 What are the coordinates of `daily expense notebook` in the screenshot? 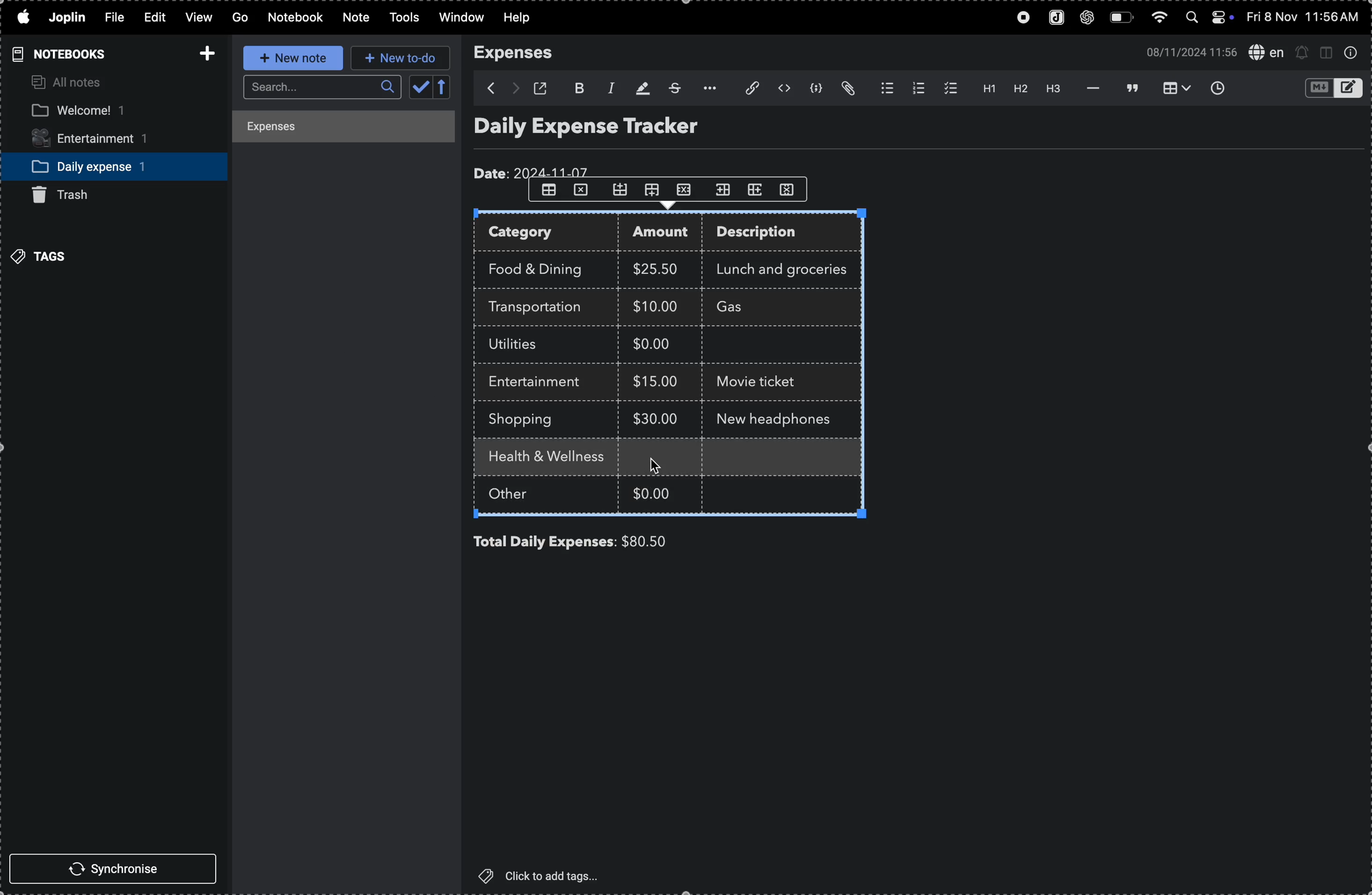 It's located at (105, 166).